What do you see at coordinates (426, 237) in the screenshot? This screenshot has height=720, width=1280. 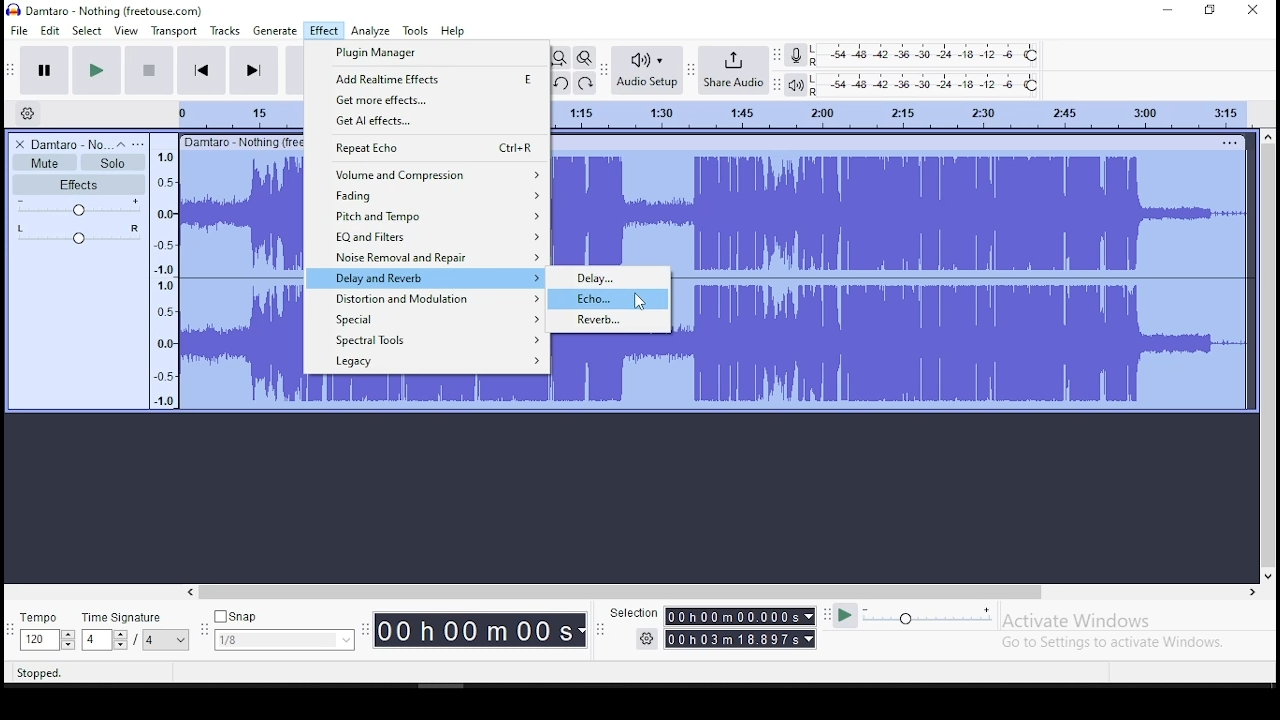 I see `EQ and filters` at bounding box center [426, 237].